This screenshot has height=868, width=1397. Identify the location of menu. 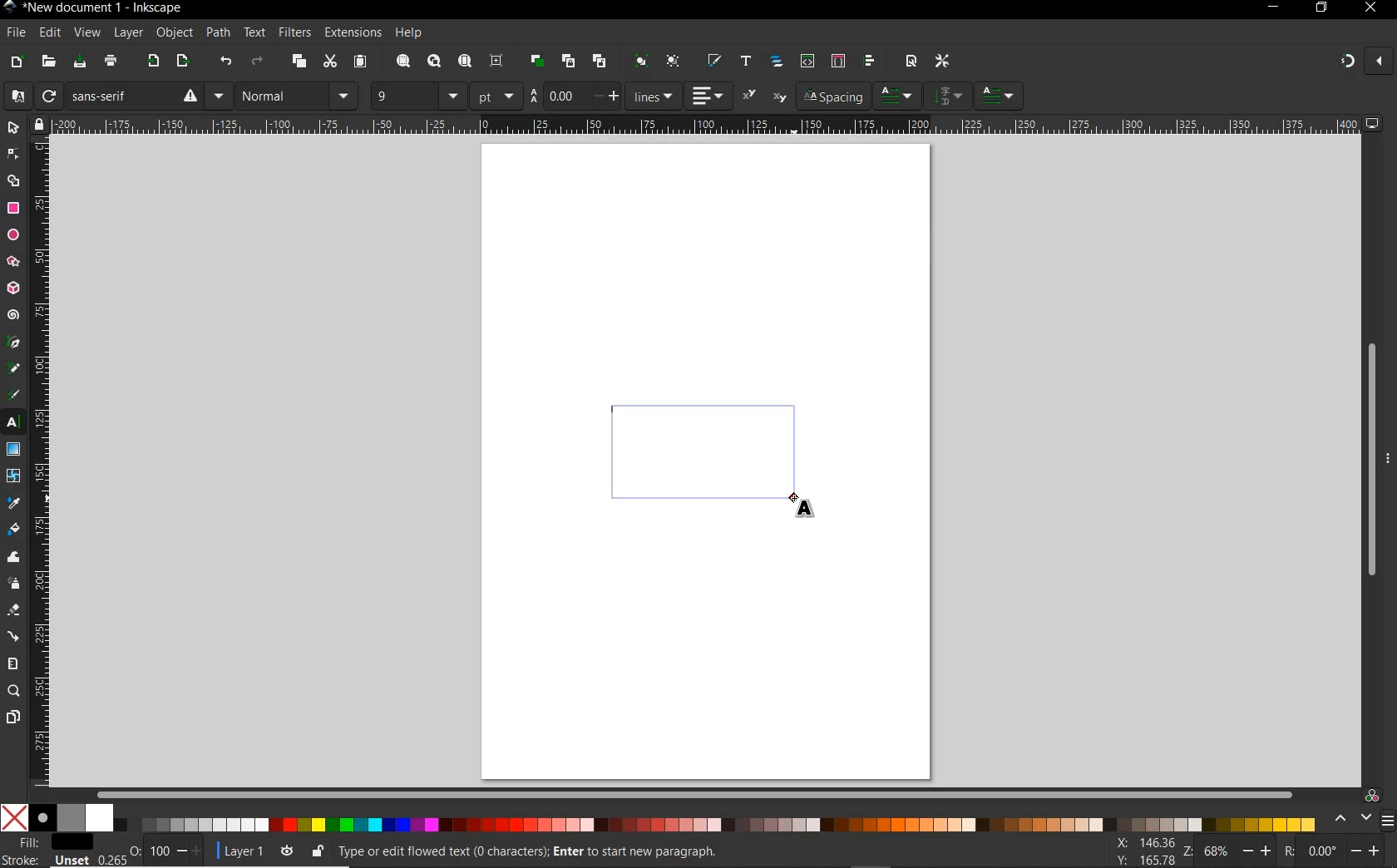
(345, 96).